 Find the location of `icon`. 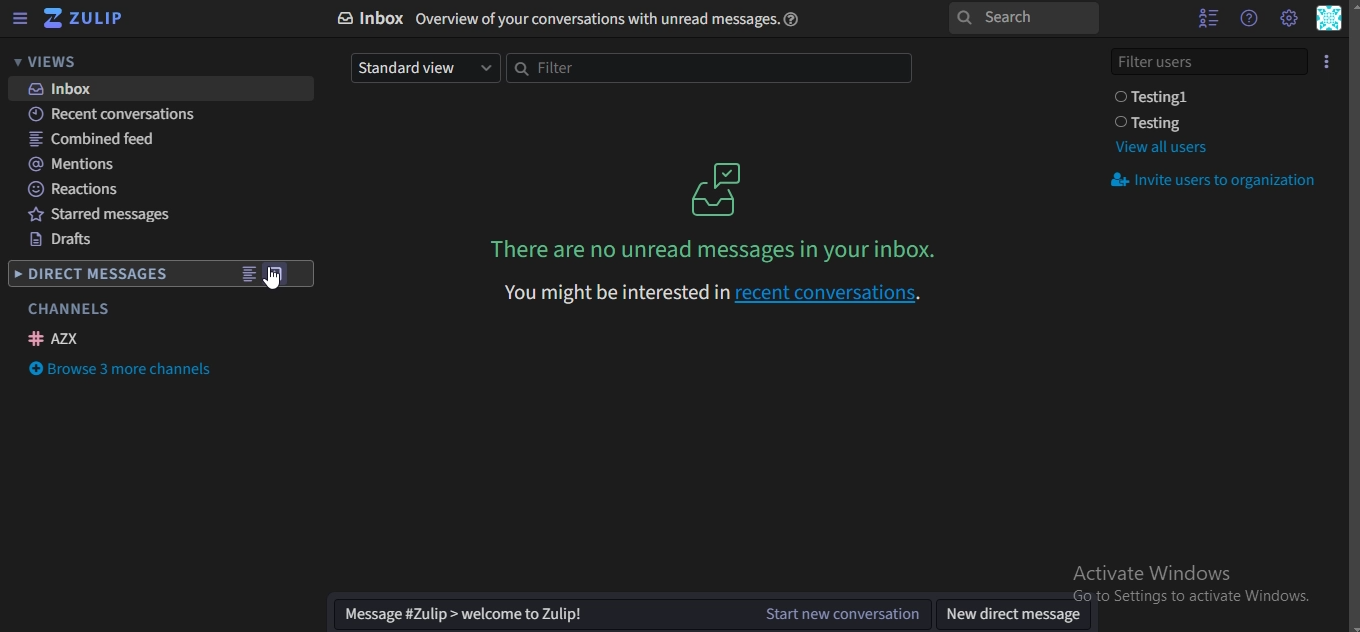

icon is located at coordinates (85, 19).